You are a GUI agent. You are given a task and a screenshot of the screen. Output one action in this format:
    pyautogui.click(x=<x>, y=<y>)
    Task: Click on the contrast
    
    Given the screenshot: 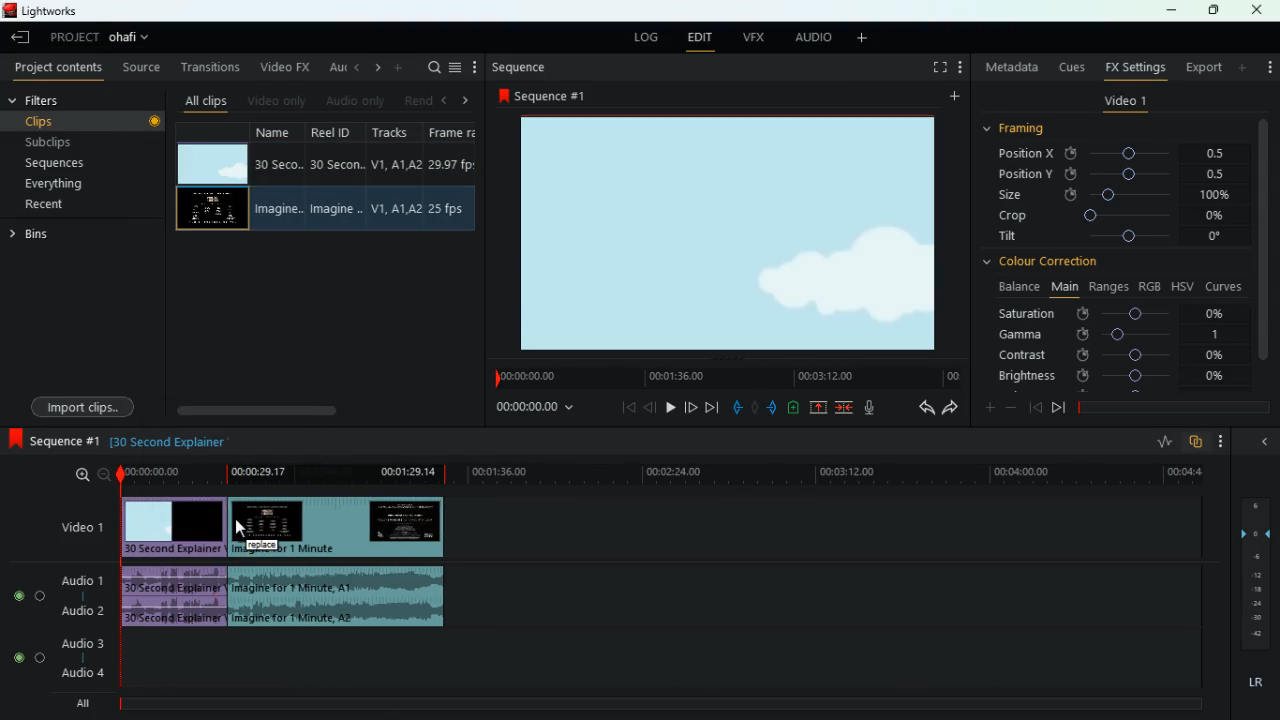 What is the action you would take?
    pyautogui.click(x=1113, y=354)
    